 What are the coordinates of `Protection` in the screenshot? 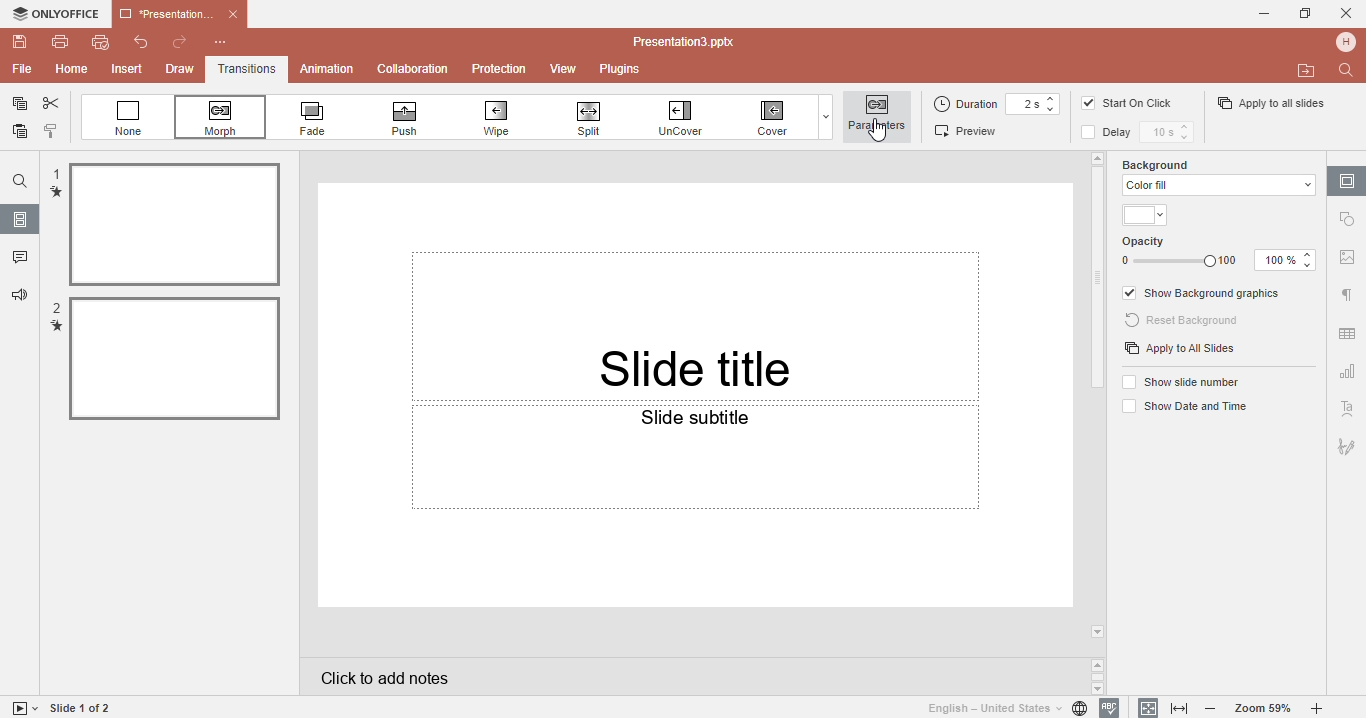 It's located at (502, 68).